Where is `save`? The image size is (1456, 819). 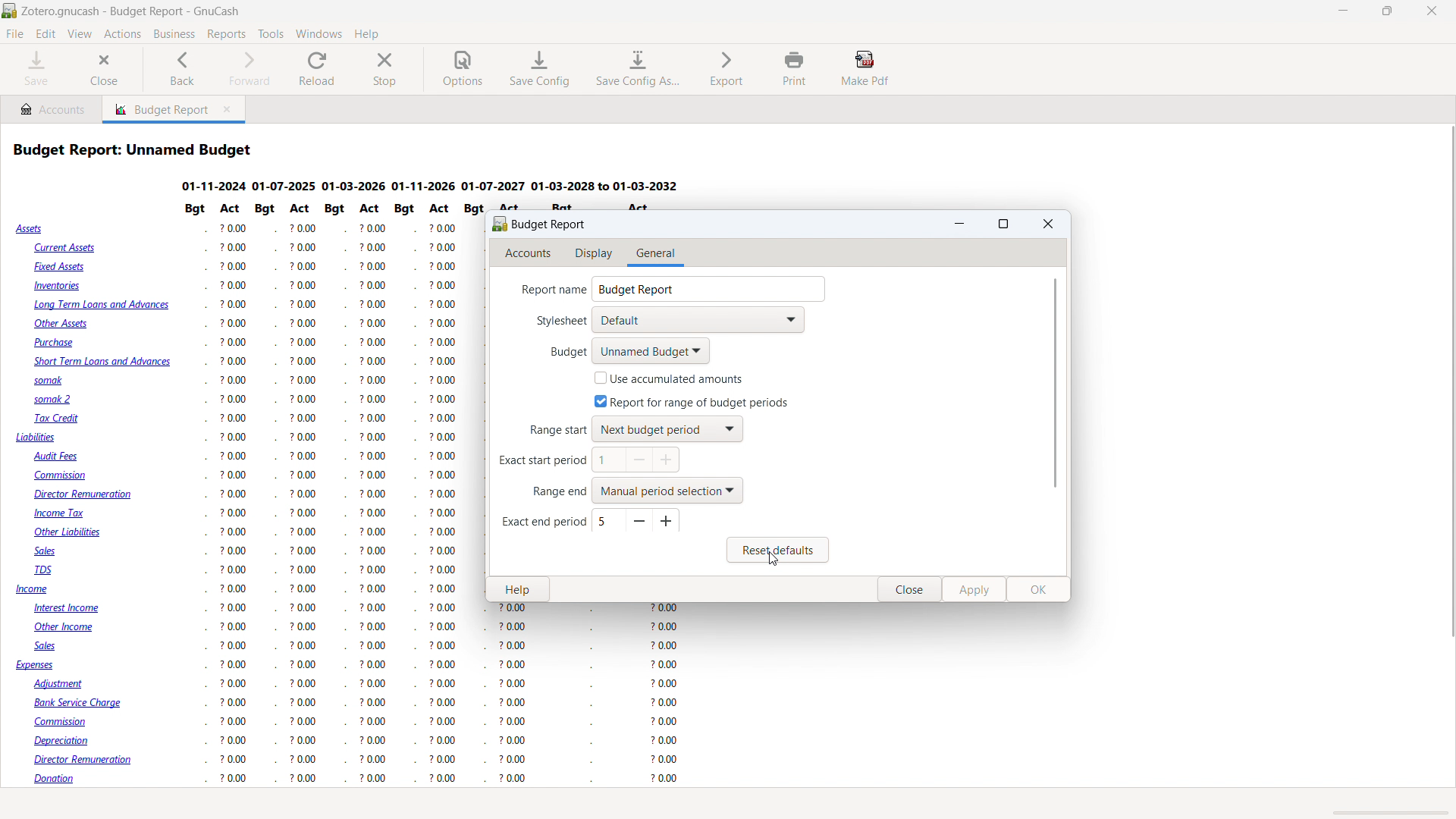 save is located at coordinates (36, 69).